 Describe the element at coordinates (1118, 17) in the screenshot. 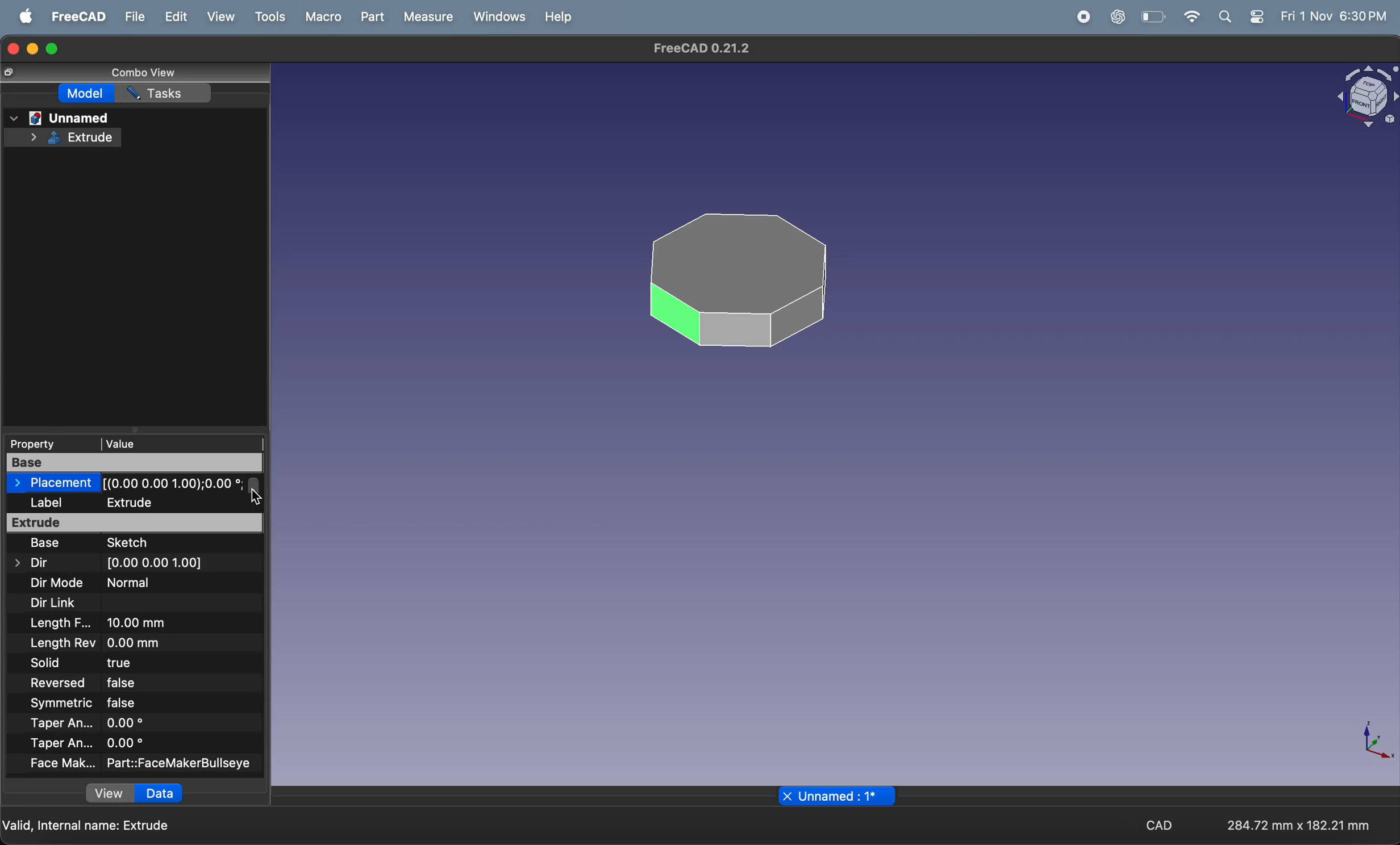

I see `chatgpt` at that location.